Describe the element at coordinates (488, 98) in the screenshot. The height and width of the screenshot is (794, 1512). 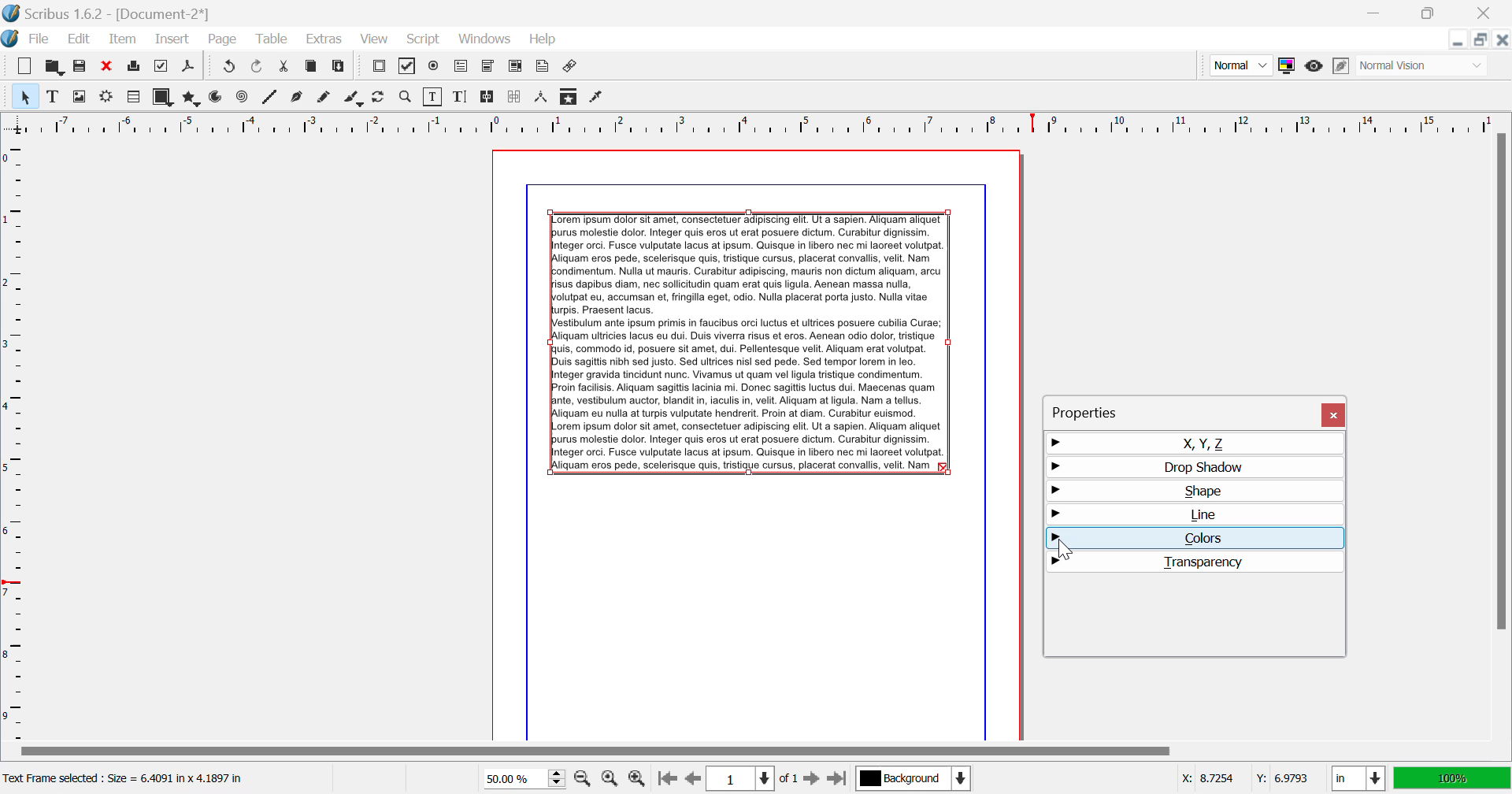
I see `Link Text Frames` at that location.